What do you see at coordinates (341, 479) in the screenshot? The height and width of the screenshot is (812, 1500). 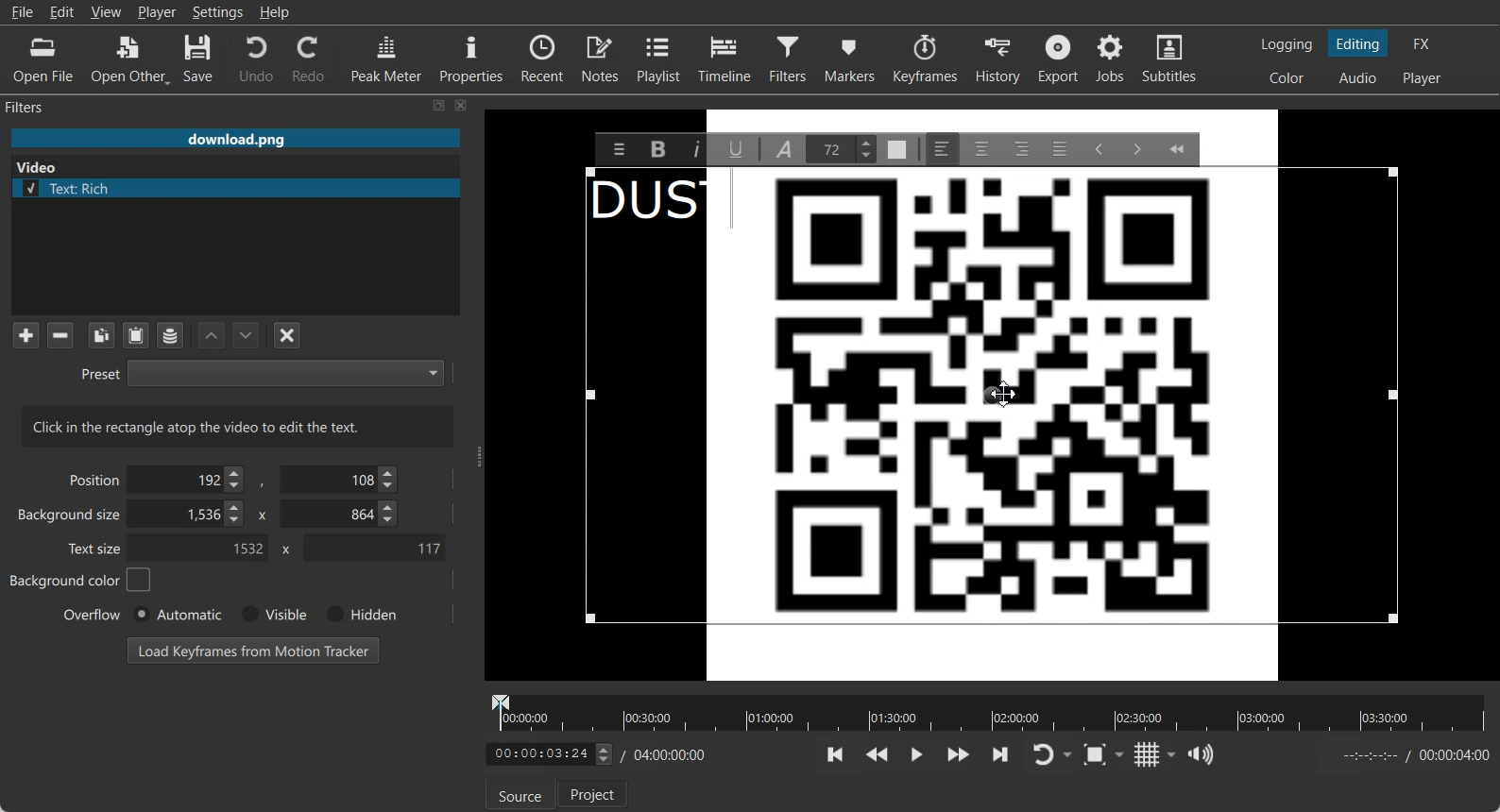 I see `Position Y- Coordinate` at bounding box center [341, 479].